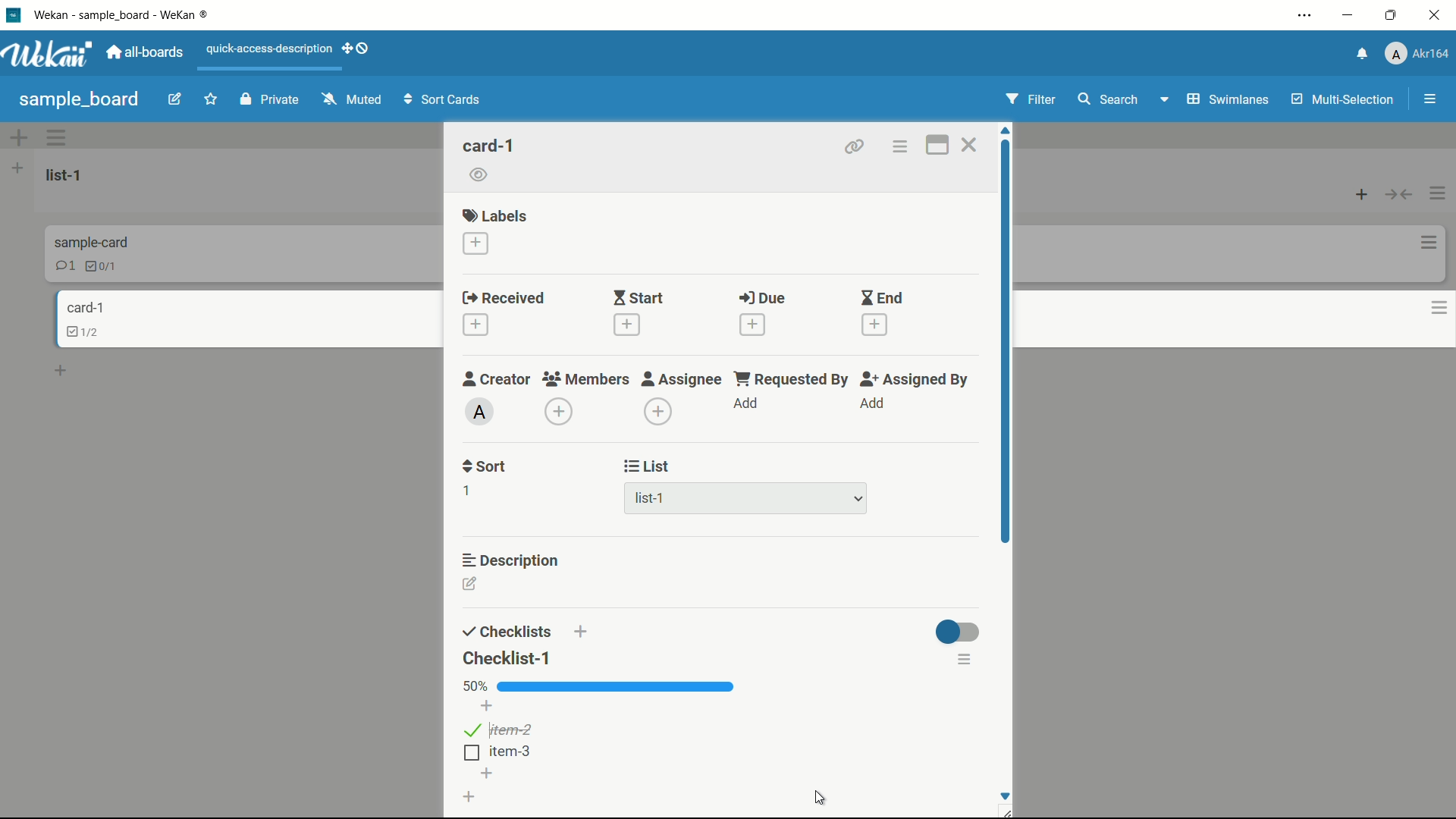 This screenshot has height=819, width=1456. What do you see at coordinates (515, 561) in the screenshot?
I see `description` at bounding box center [515, 561].